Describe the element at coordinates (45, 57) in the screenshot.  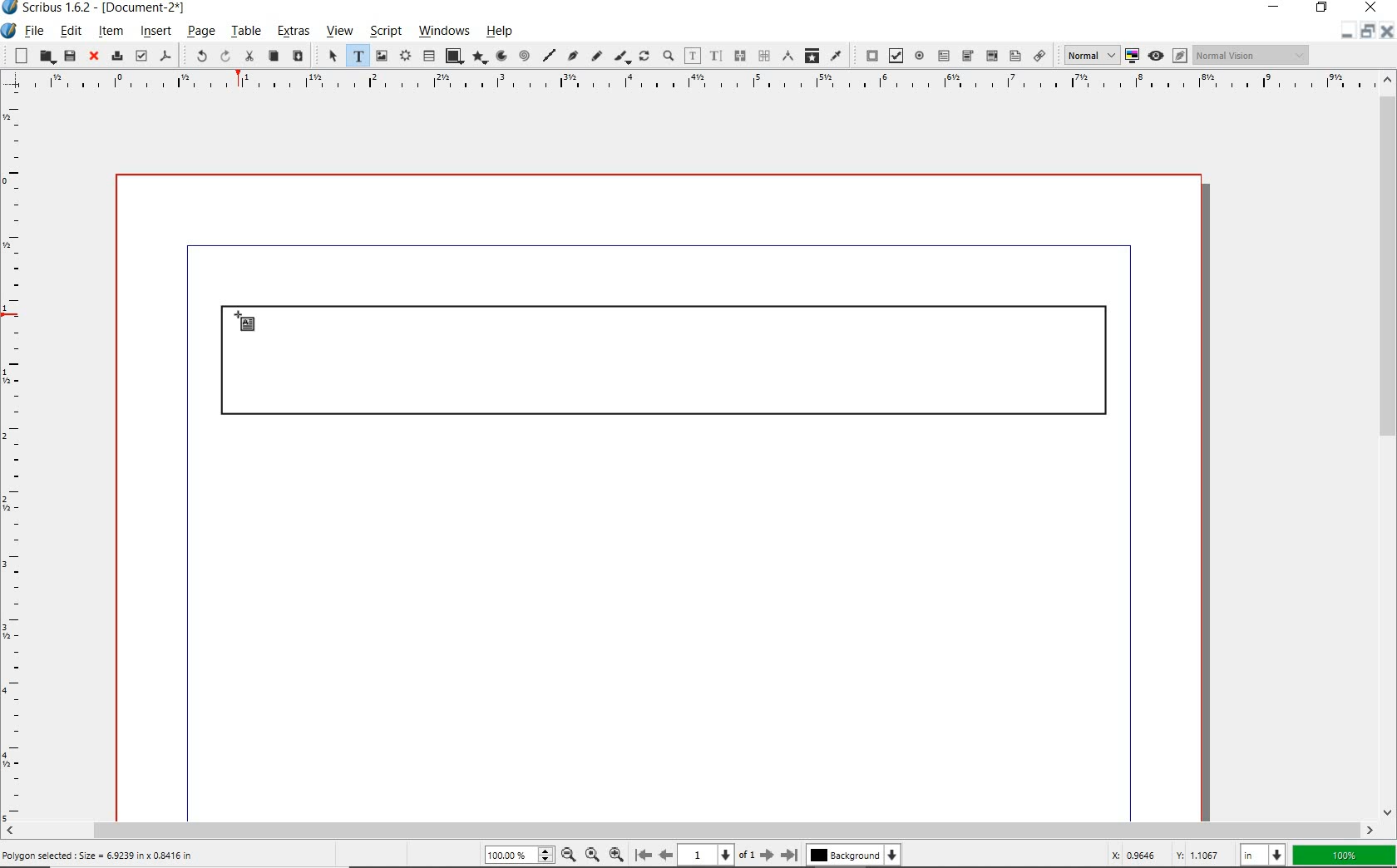
I see `open` at that location.